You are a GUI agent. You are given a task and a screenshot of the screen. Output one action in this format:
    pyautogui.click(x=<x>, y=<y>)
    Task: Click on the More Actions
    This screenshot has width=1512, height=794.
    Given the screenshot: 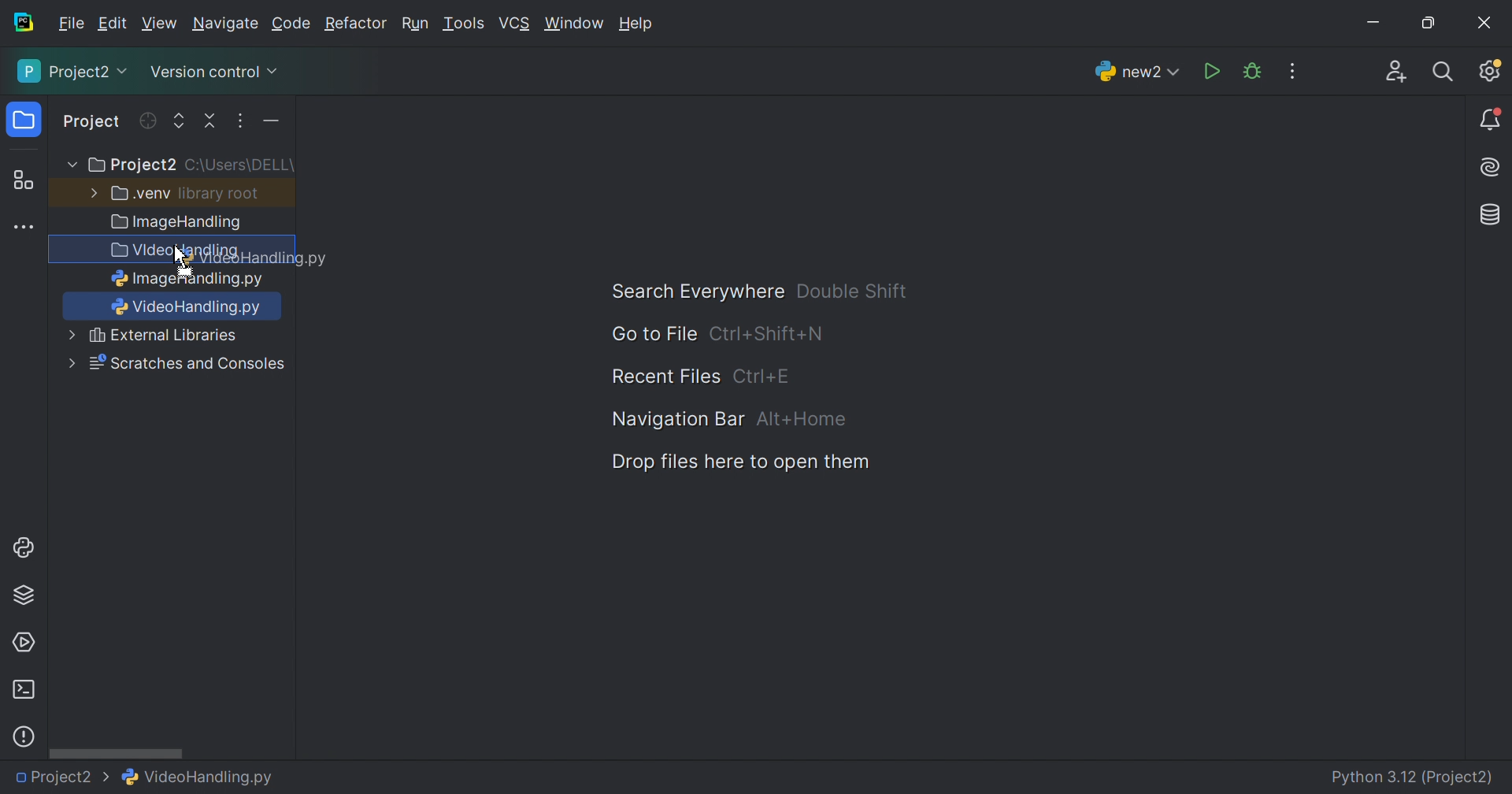 What is the action you would take?
    pyautogui.click(x=1292, y=71)
    